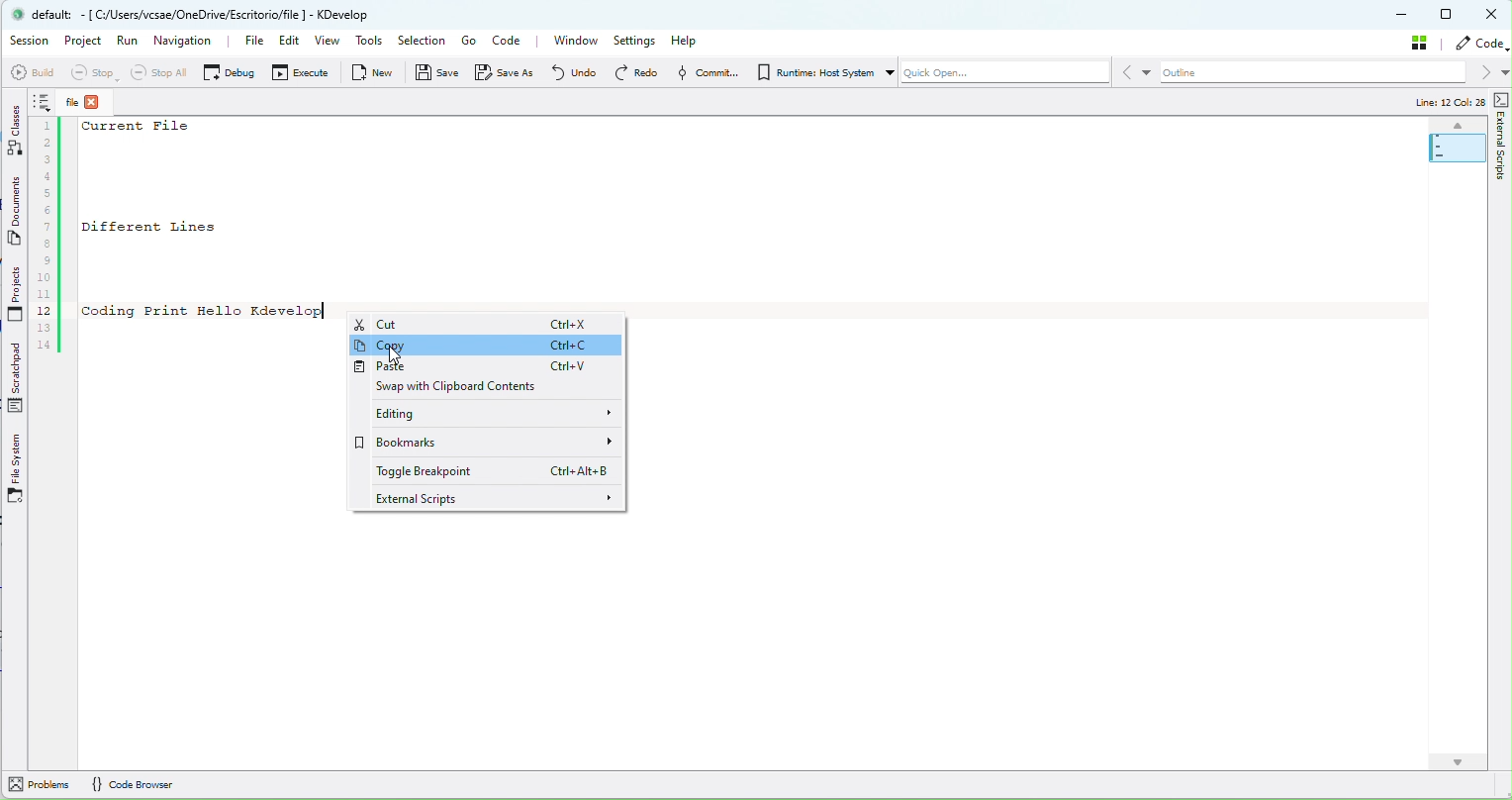 The width and height of the screenshot is (1512, 800). I want to click on Paste Ctrl+V, so click(486, 367).